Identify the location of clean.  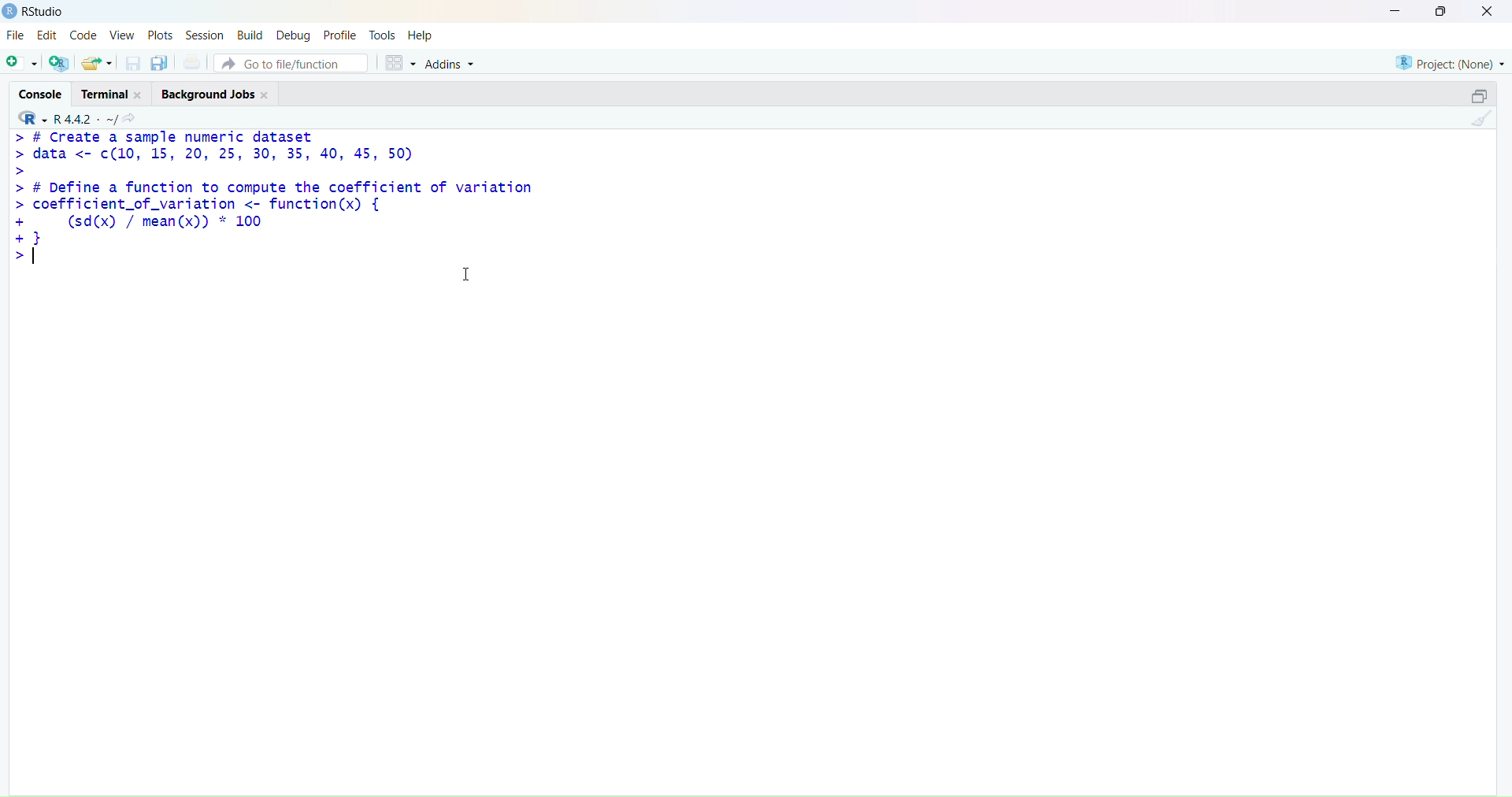
(1483, 118).